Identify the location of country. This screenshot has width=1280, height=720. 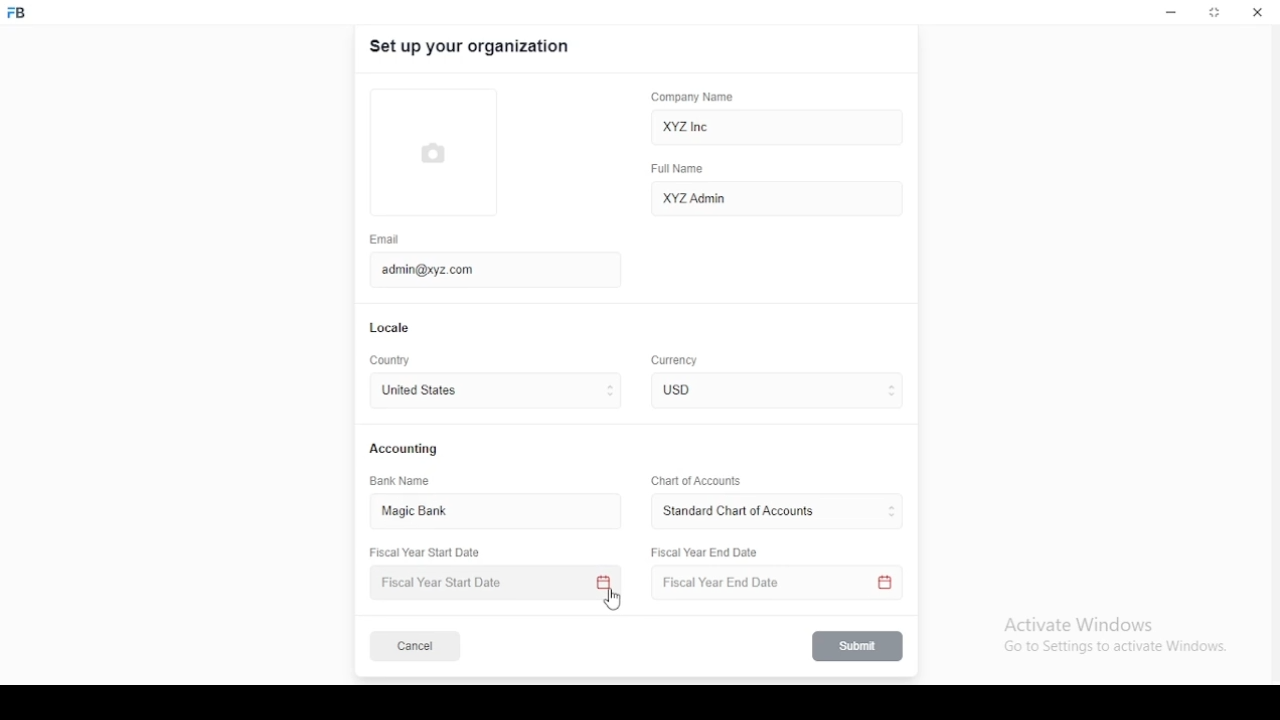
(392, 361).